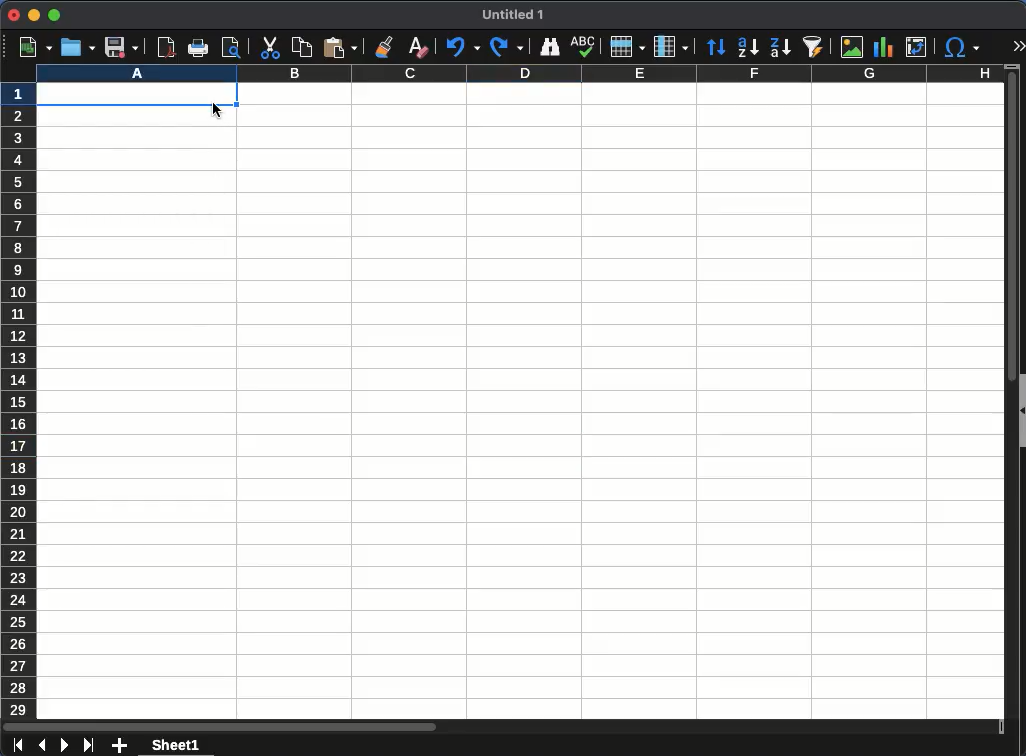 This screenshot has width=1026, height=756. What do you see at coordinates (964, 49) in the screenshot?
I see `special character` at bounding box center [964, 49].